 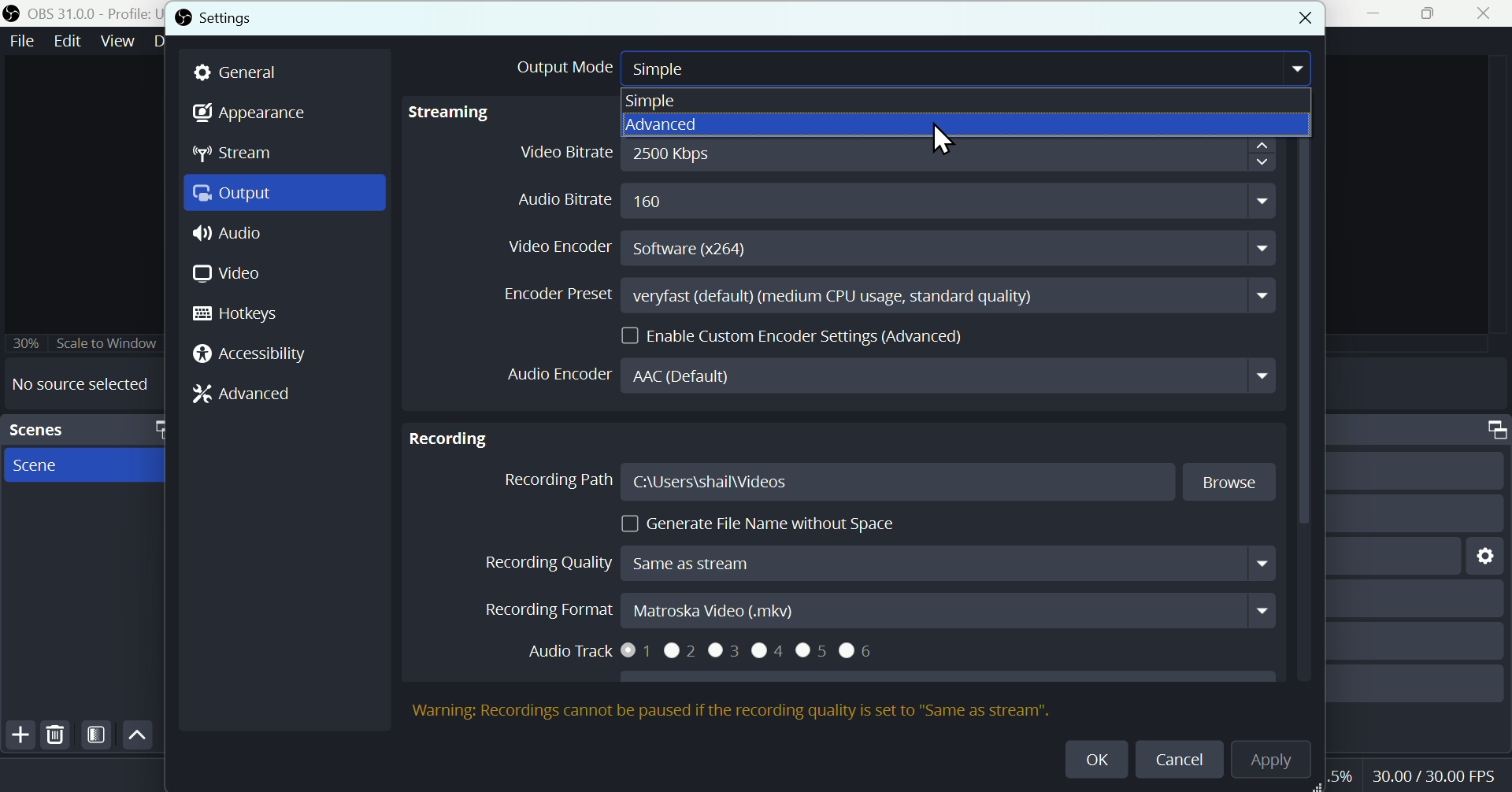 I want to click on Appearance, so click(x=253, y=112).